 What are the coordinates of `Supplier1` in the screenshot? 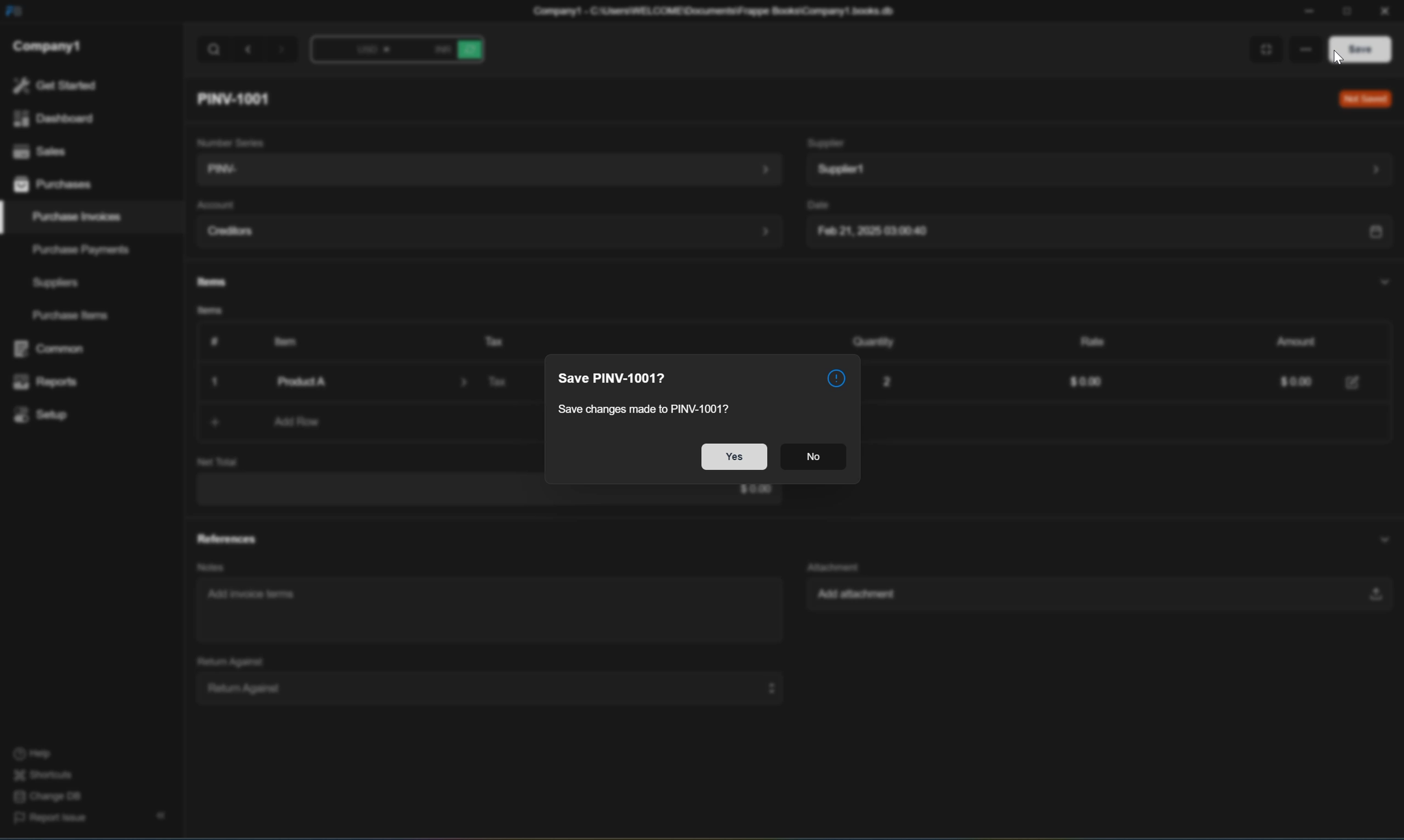 It's located at (1097, 169).